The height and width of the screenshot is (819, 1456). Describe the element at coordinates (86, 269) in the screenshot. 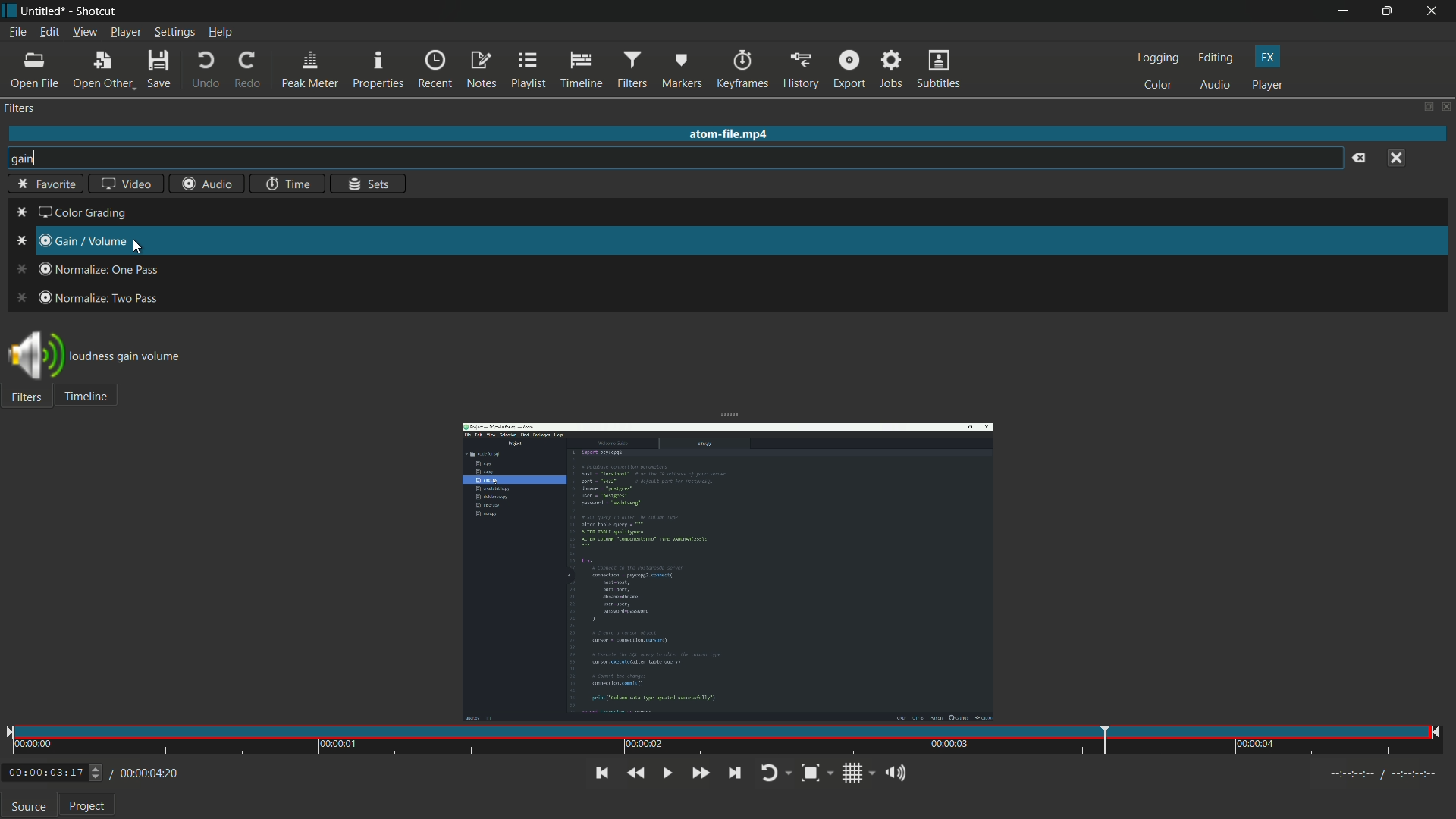

I see `normalize one pass` at that location.